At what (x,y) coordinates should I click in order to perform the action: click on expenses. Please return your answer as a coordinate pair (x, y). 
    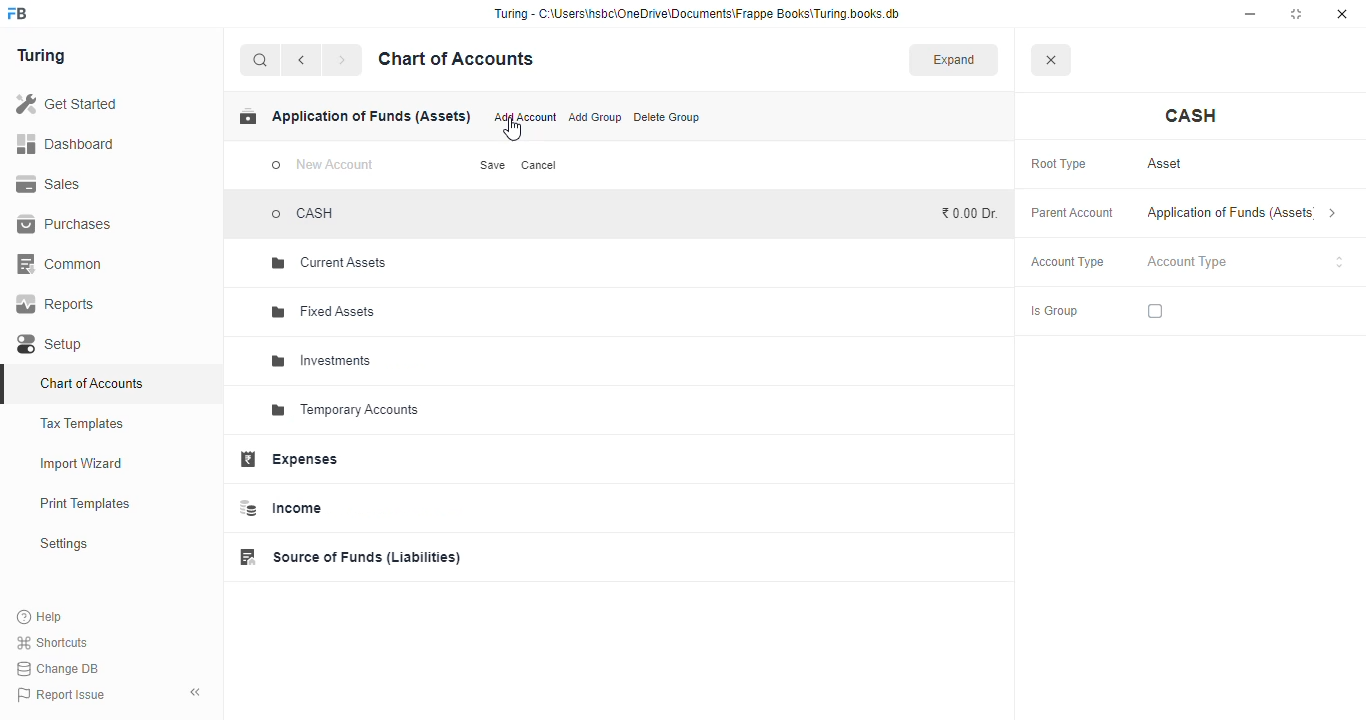
    Looking at the image, I should click on (288, 459).